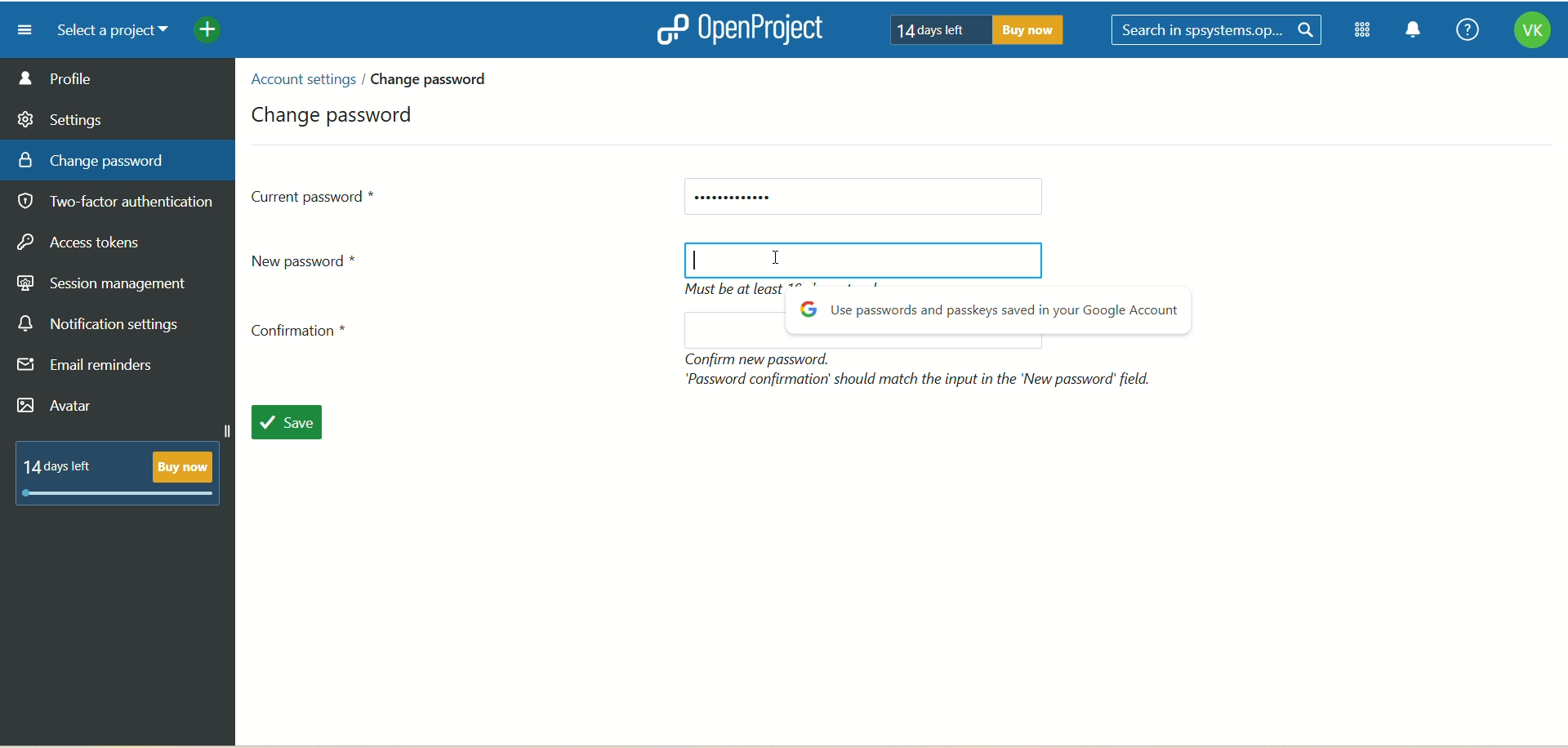 This screenshot has height=748, width=1568. Describe the element at coordinates (118, 78) in the screenshot. I see `profile` at that location.